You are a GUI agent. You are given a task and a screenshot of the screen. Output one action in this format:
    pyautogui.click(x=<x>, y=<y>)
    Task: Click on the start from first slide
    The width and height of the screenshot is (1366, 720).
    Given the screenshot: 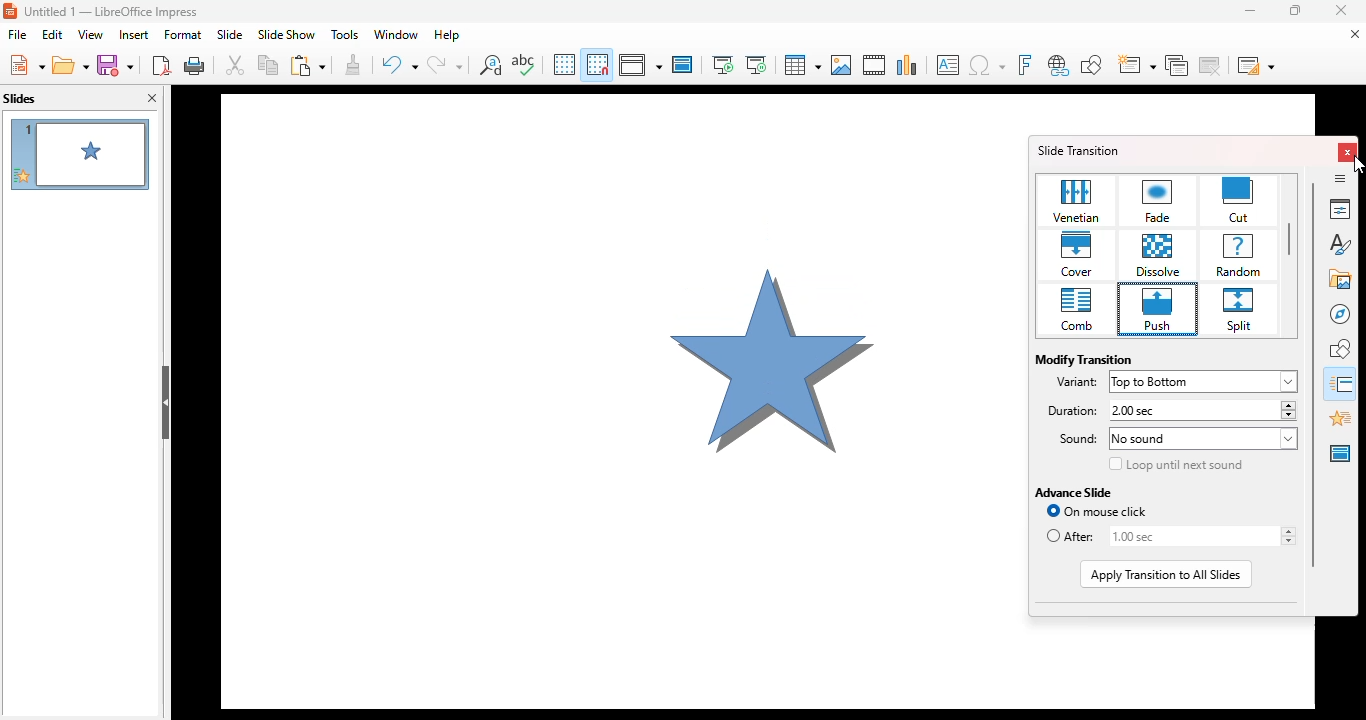 What is the action you would take?
    pyautogui.click(x=724, y=65)
    